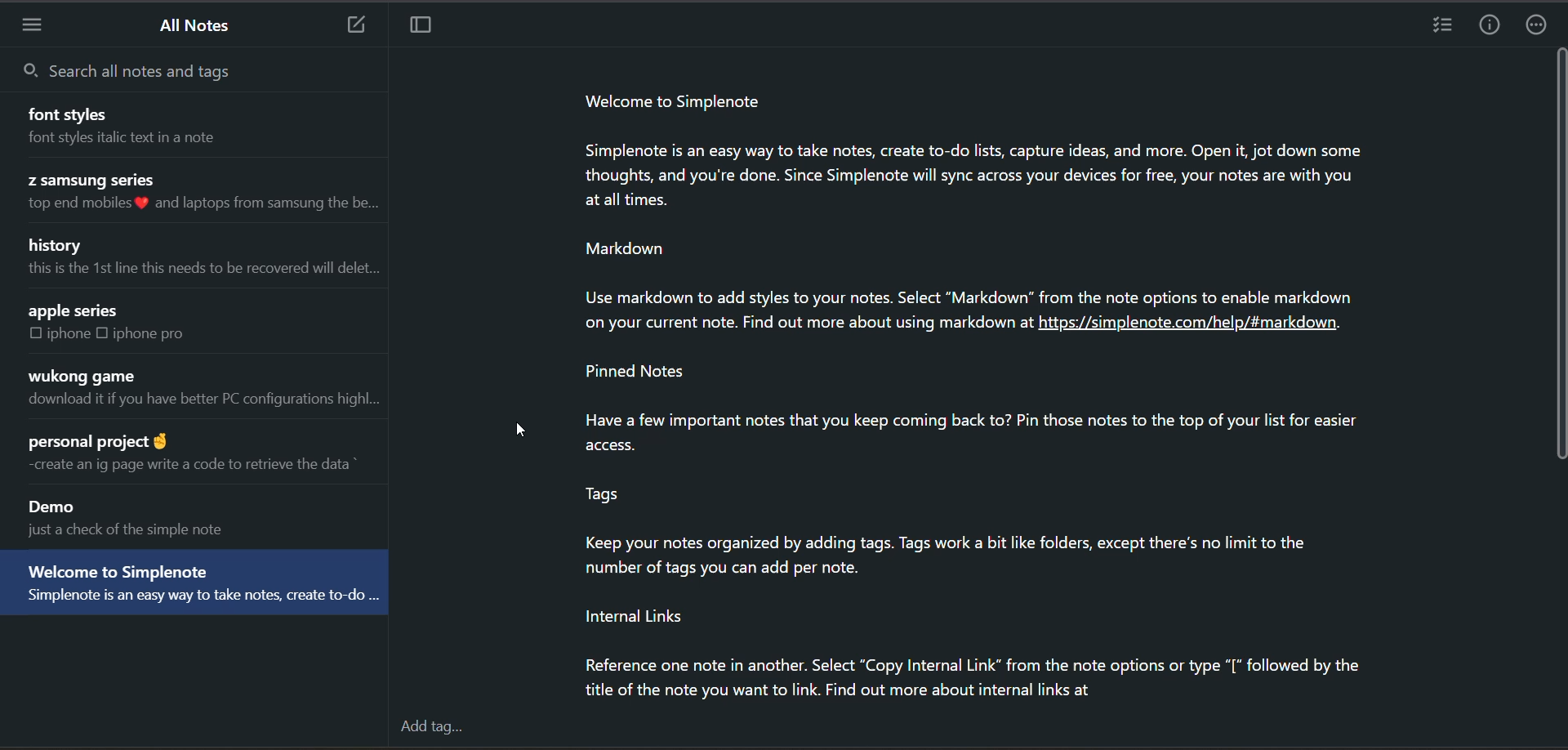  What do you see at coordinates (43, 25) in the screenshot?
I see `menu` at bounding box center [43, 25].